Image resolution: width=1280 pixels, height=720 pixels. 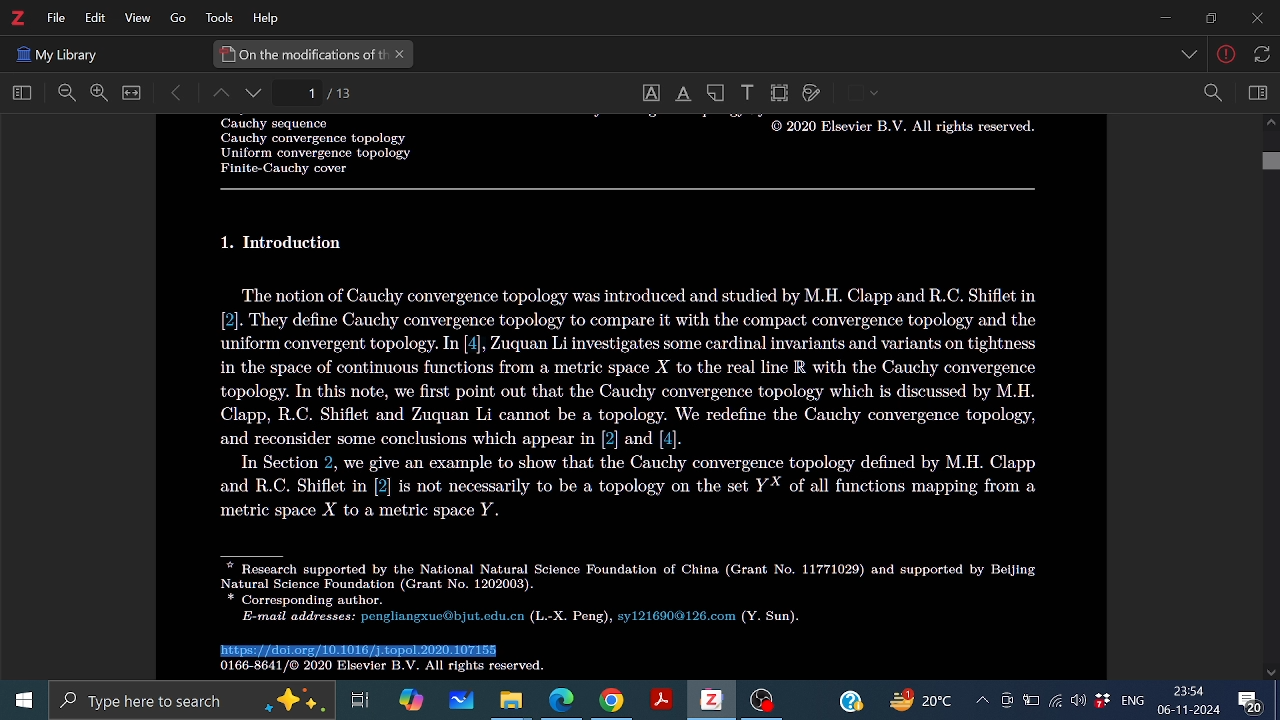 What do you see at coordinates (1255, 93) in the screenshot?
I see `Sidebar view` at bounding box center [1255, 93].